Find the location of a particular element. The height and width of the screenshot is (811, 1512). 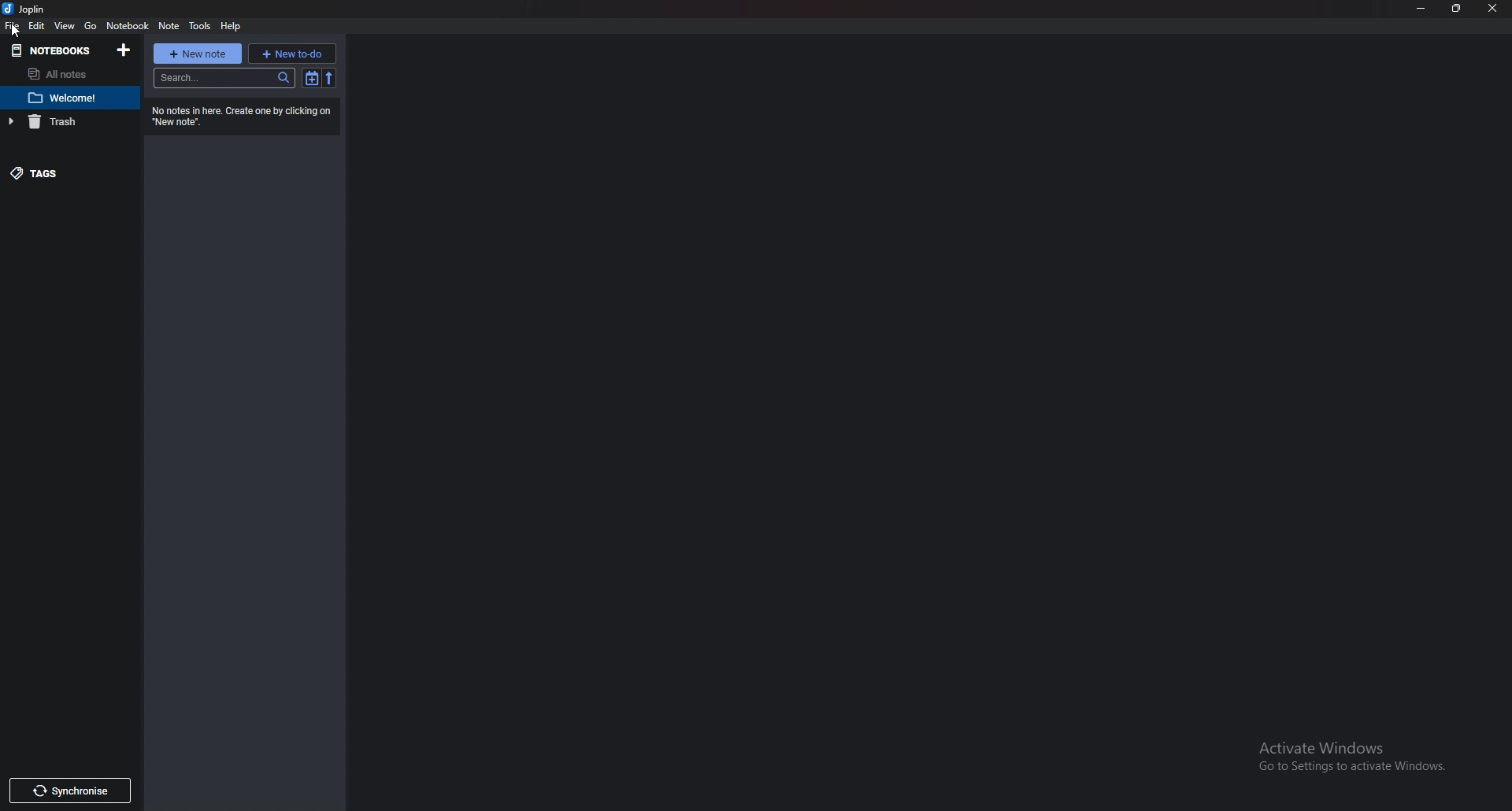

Resize is located at coordinates (1459, 8).